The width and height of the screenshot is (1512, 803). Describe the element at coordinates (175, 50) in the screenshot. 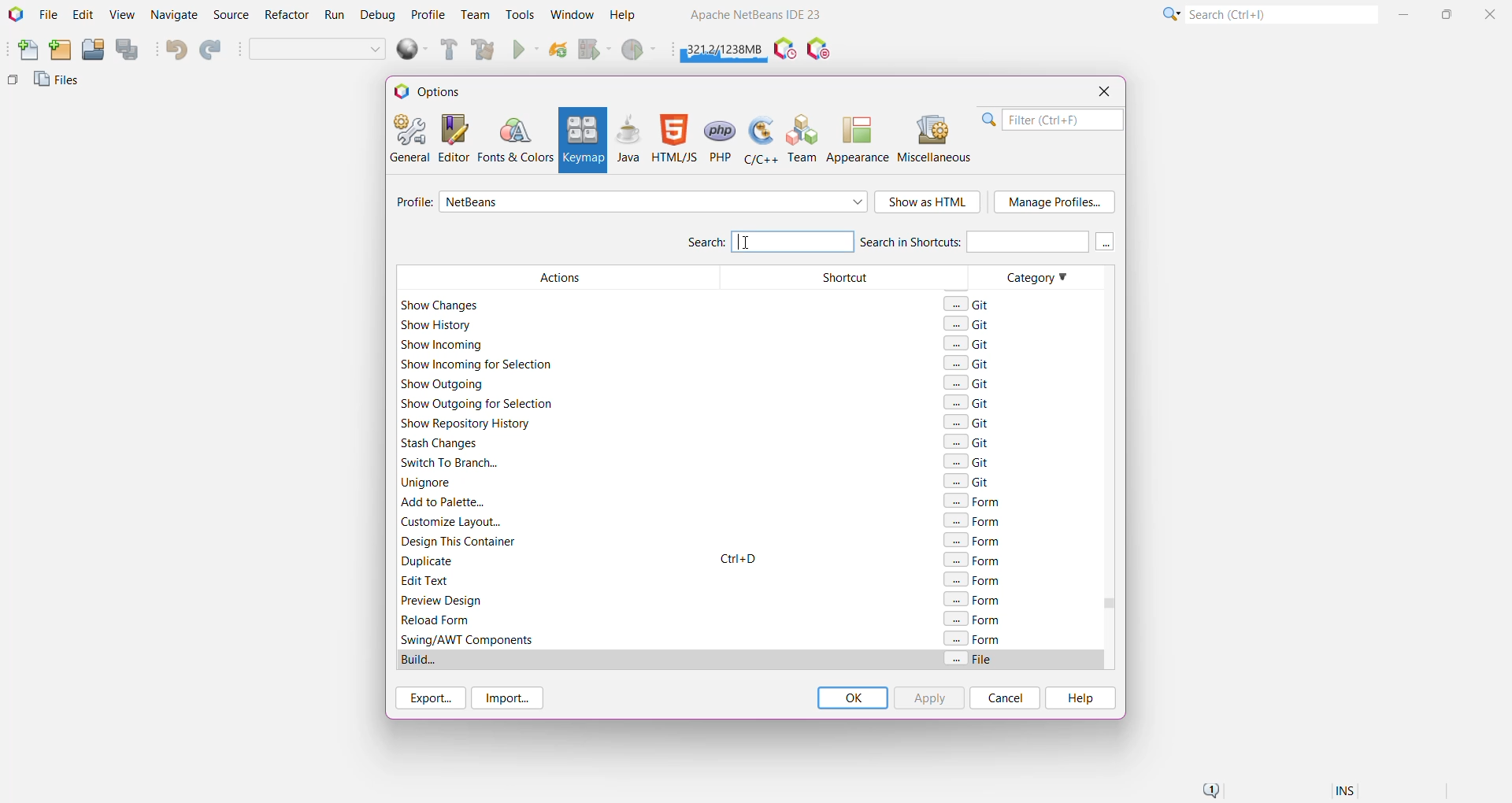

I see `Undo` at that location.